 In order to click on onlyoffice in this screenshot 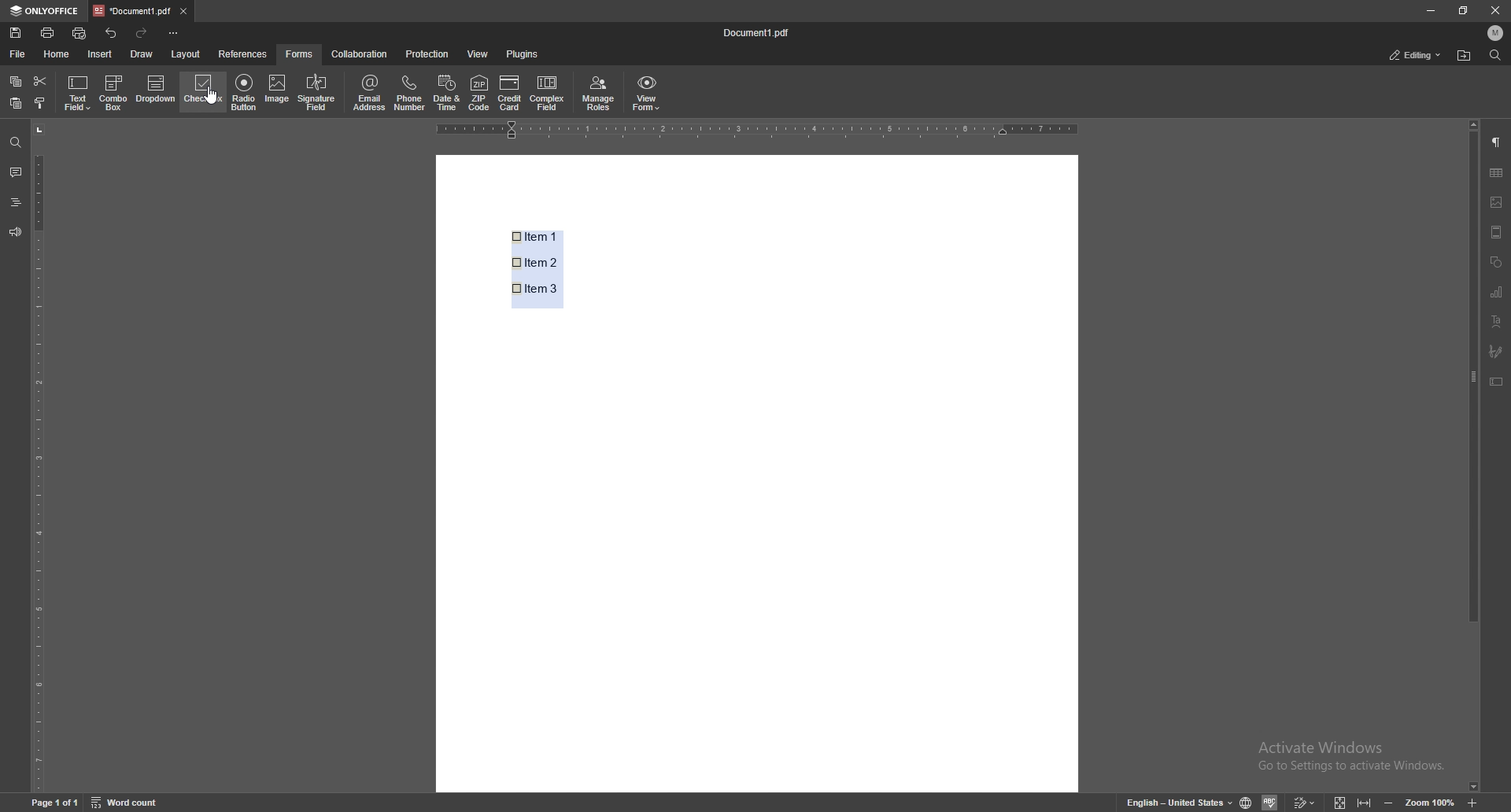, I will do `click(46, 10)`.